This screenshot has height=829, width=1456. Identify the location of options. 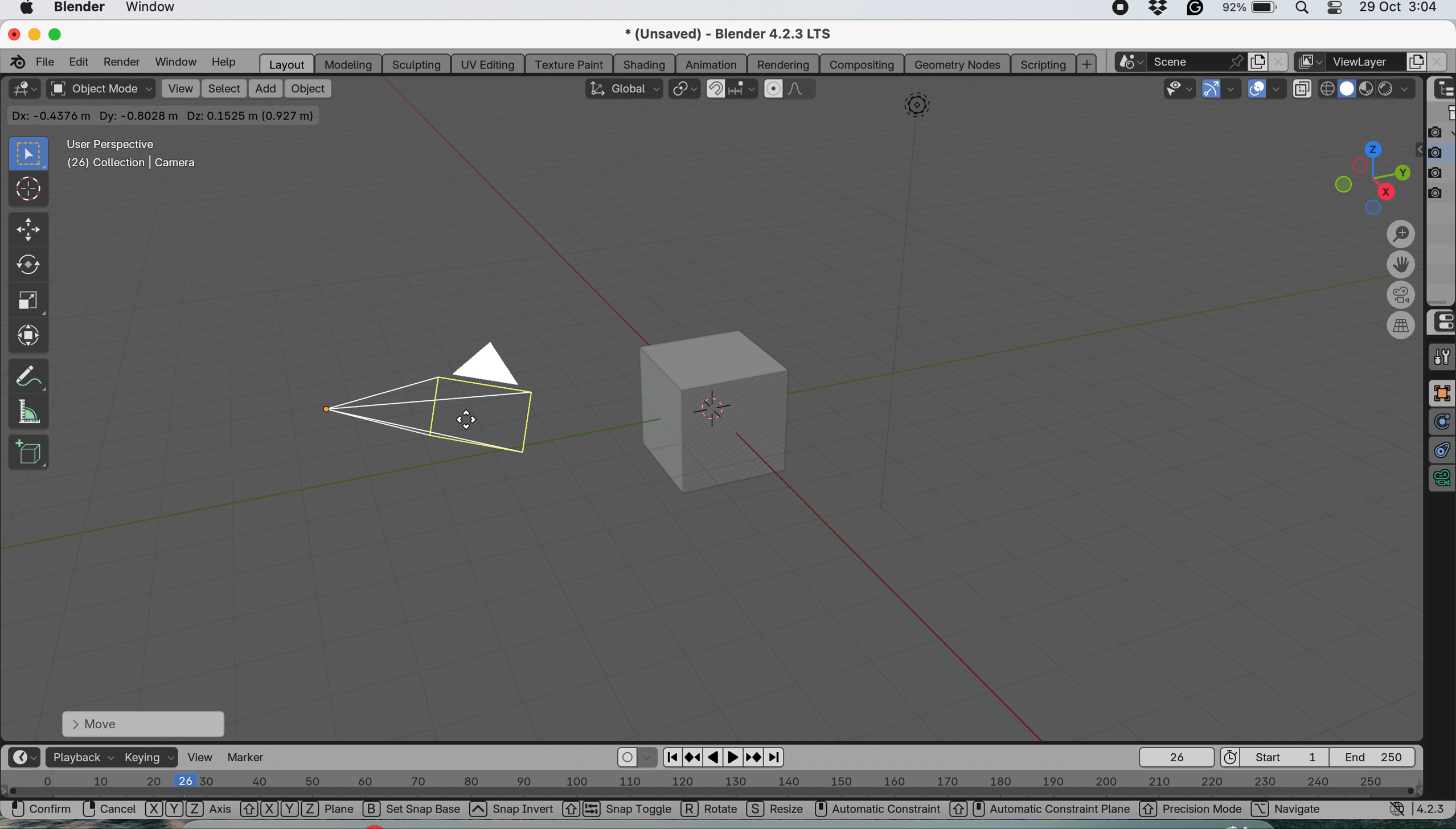
(1384, 114).